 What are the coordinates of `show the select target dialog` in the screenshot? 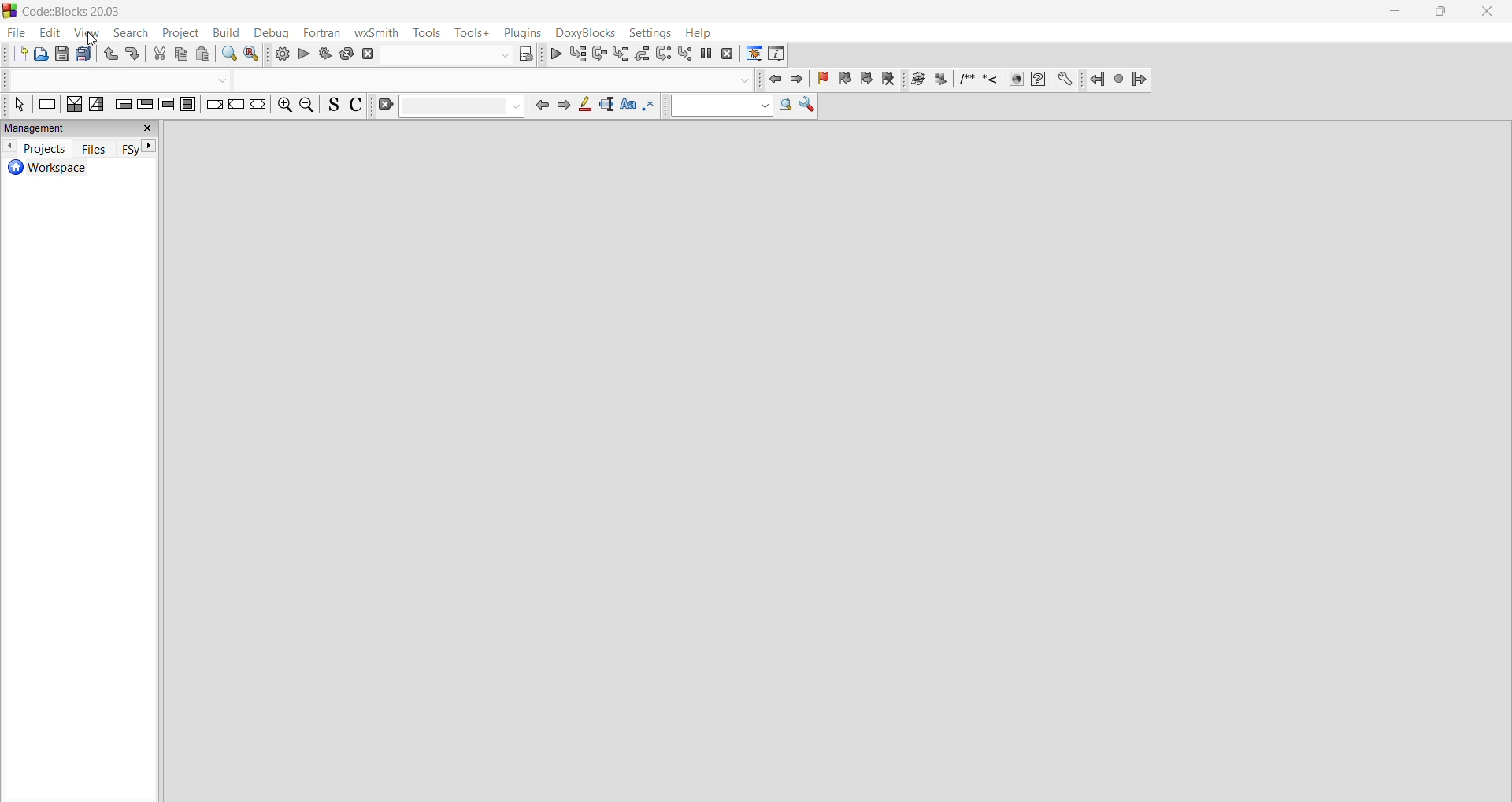 It's located at (1858, 164).